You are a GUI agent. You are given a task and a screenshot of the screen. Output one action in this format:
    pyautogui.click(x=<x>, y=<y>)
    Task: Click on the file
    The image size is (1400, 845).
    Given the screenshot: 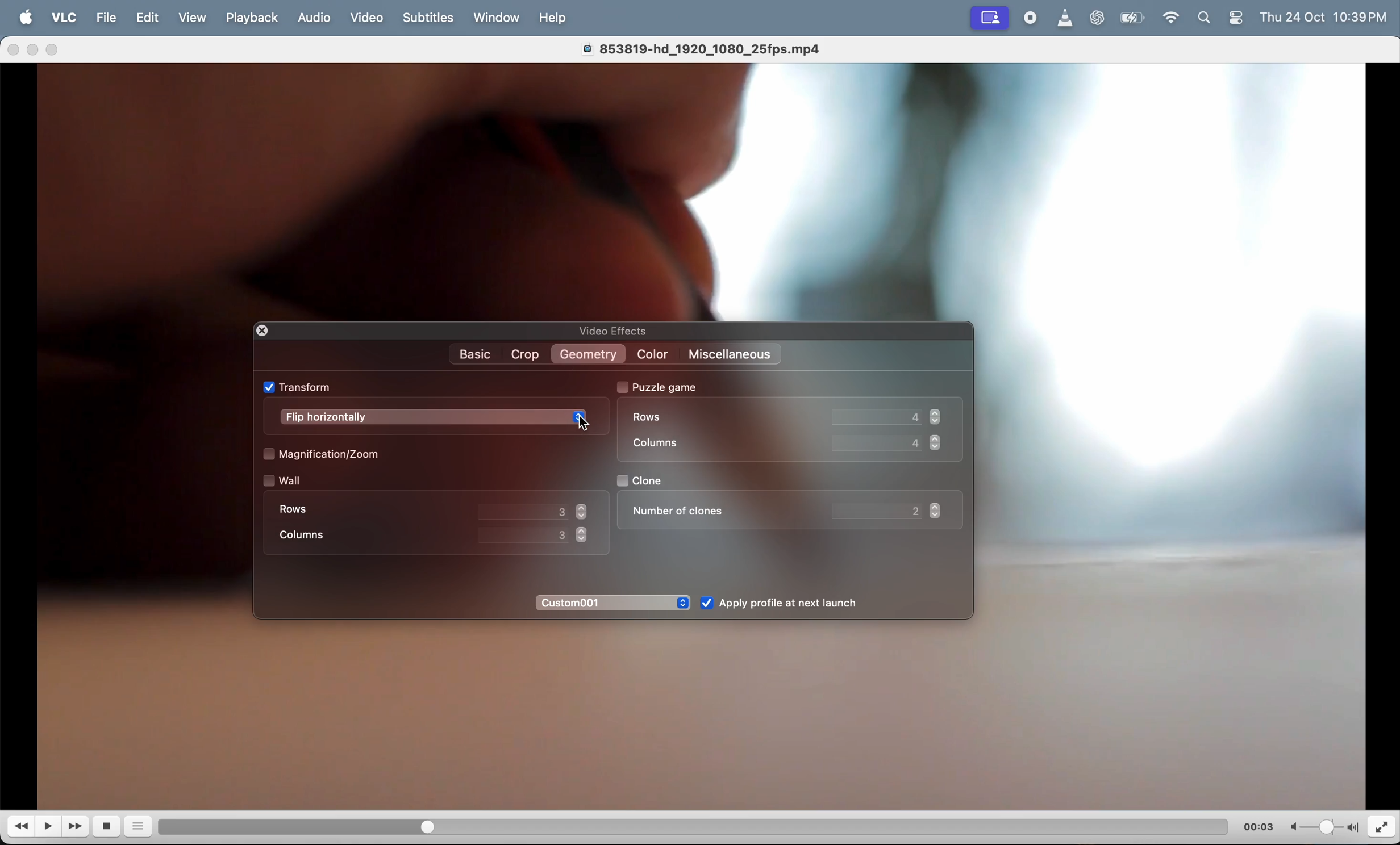 What is the action you would take?
    pyautogui.click(x=106, y=18)
    